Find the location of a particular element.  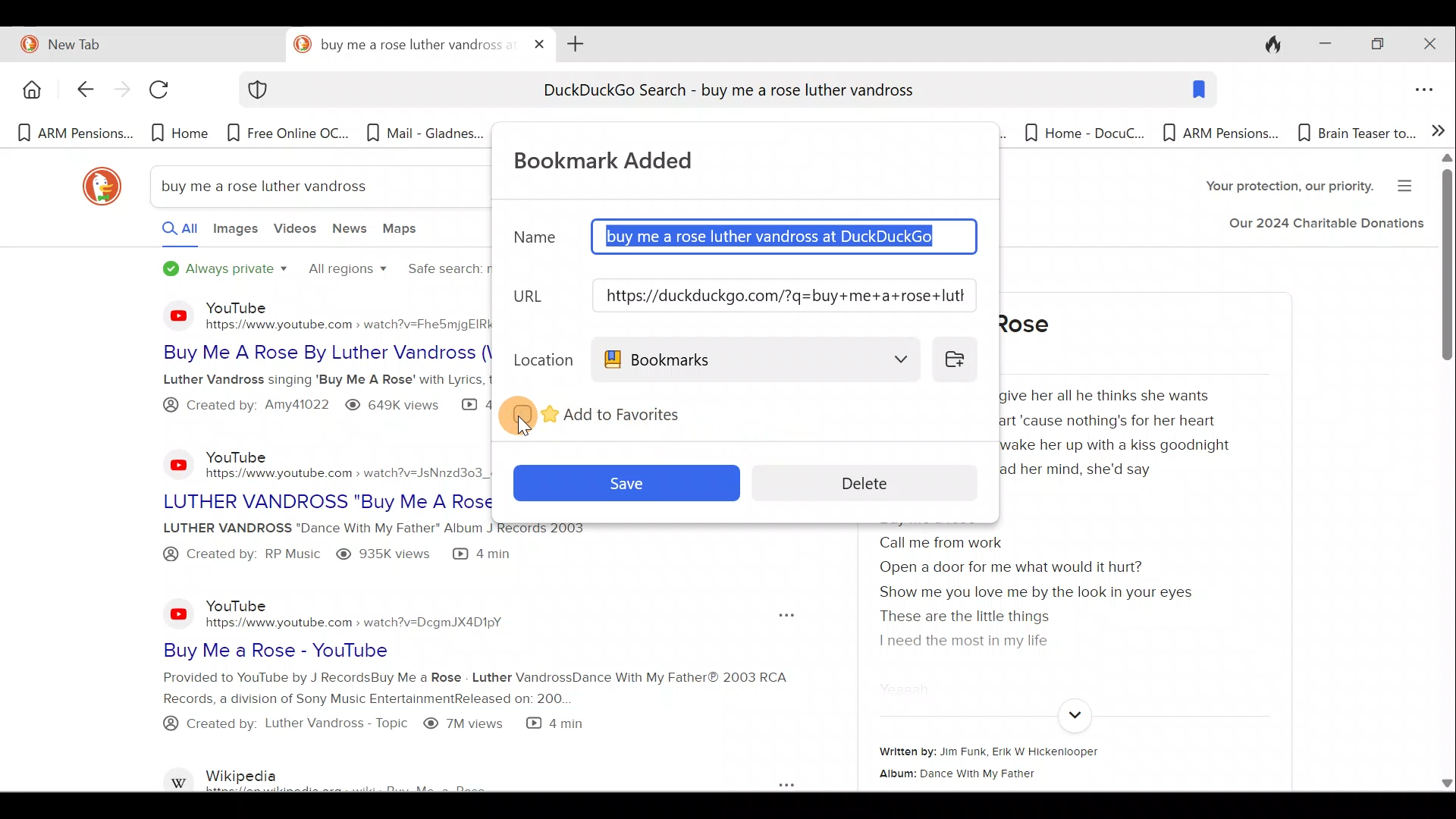

DuckDuckGo logo is located at coordinates (95, 187).